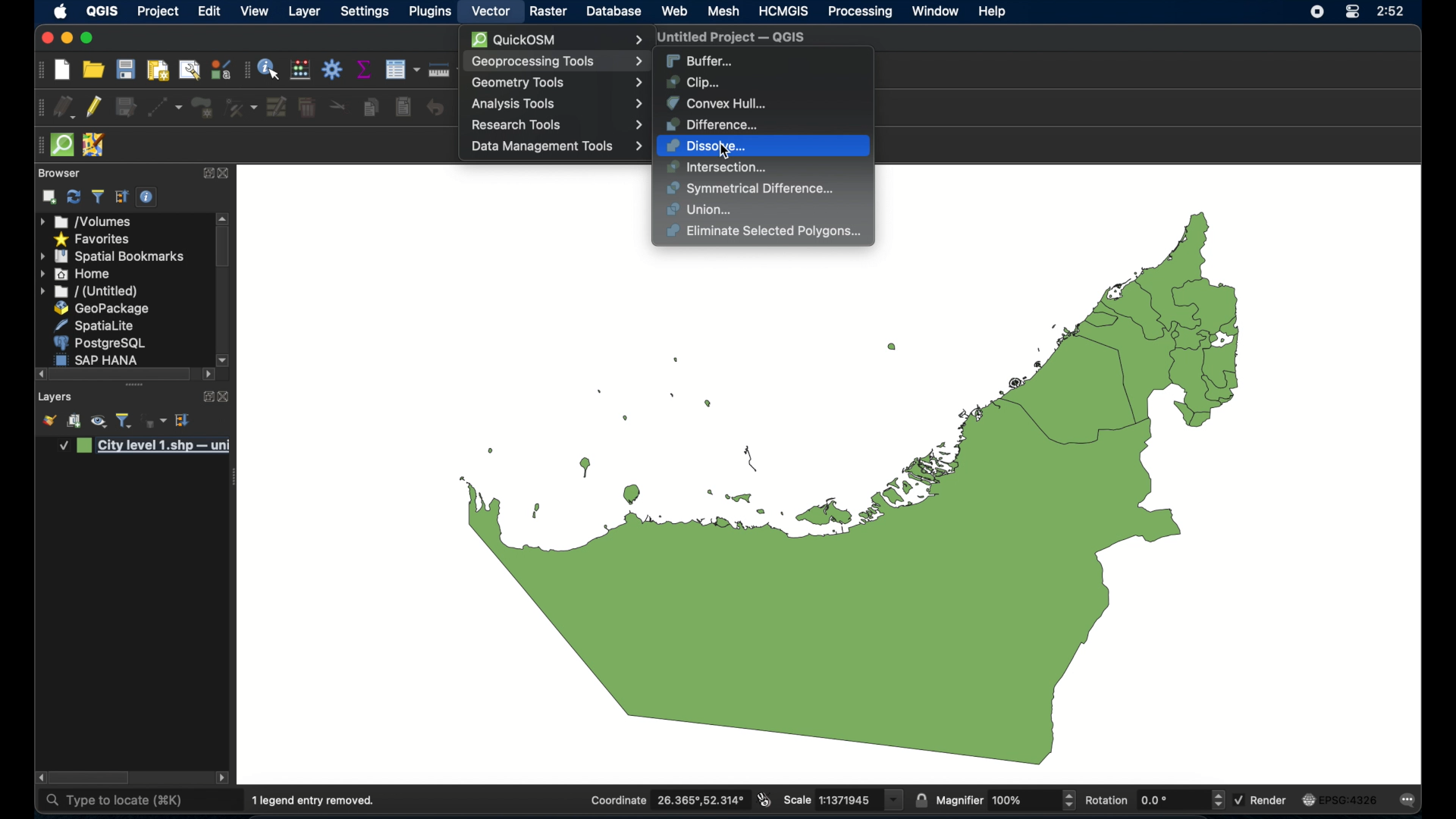 The width and height of the screenshot is (1456, 819). What do you see at coordinates (859, 12) in the screenshot?
I see `processing` at bounding box center [859, 12].